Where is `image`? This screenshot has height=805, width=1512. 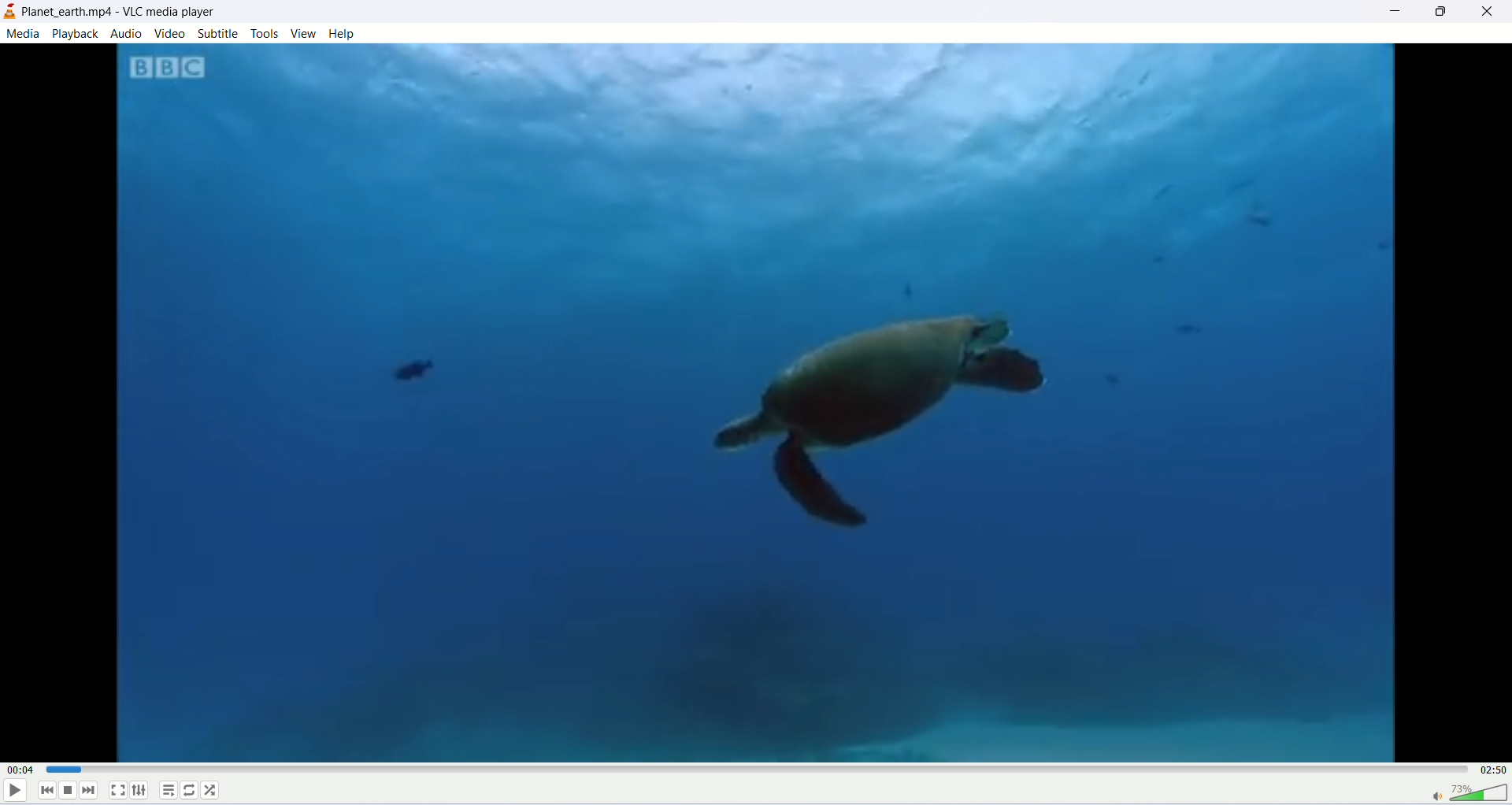 image is located at coordinates (758, 402).